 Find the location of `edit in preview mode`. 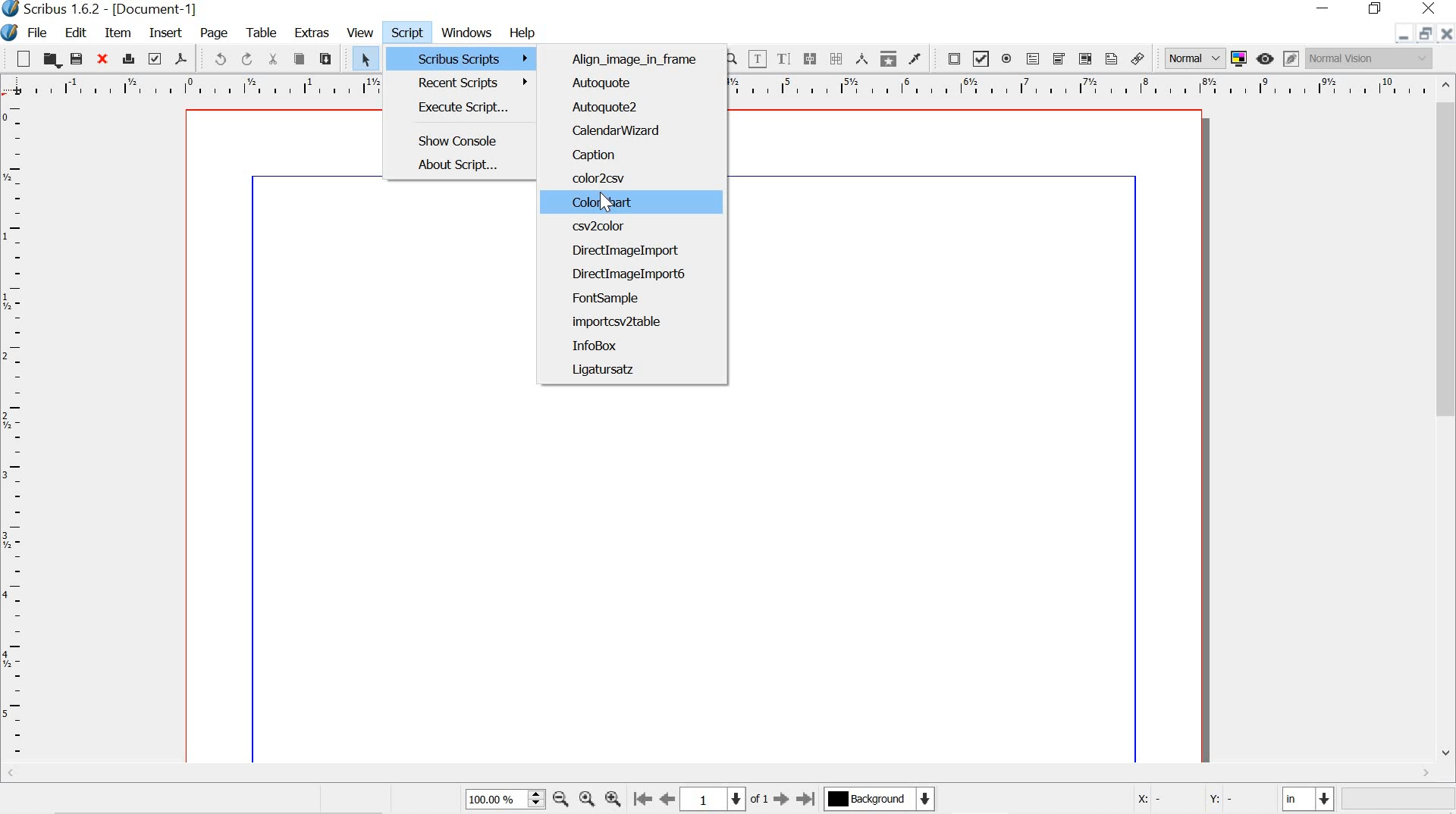

edit in preview mode is located at coordinates (1291, 58).